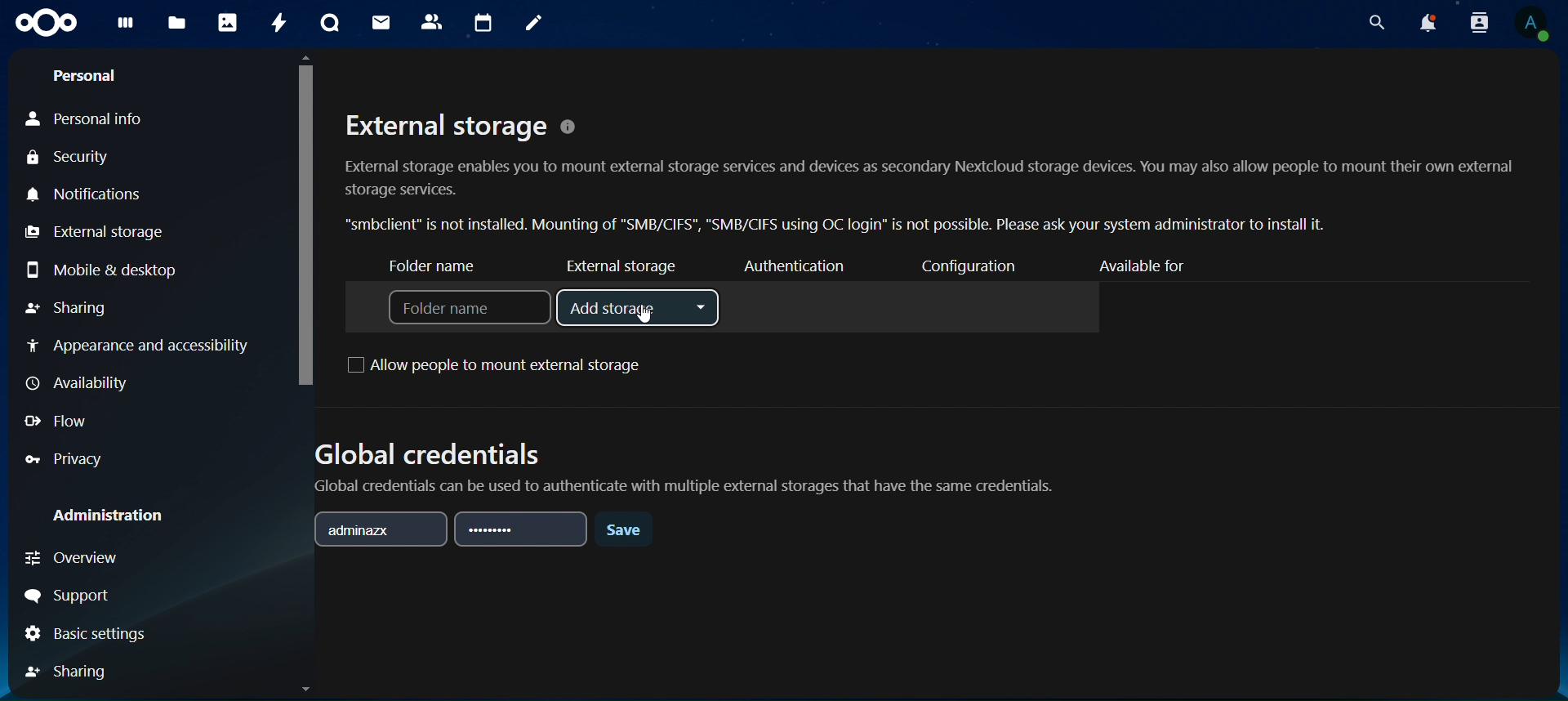  I want to click on External storage ©

External storage enables you to mount external storage services and devices as secondary Nextcloud storage devices. You may also allow people to mount their own external
storage services.

“smbclient” is not installed. Mounting of "SMB/CIFS", "SMB/CIFS using OC login” is not possible. Please ask your system administrator to install it., so click(929, 170).